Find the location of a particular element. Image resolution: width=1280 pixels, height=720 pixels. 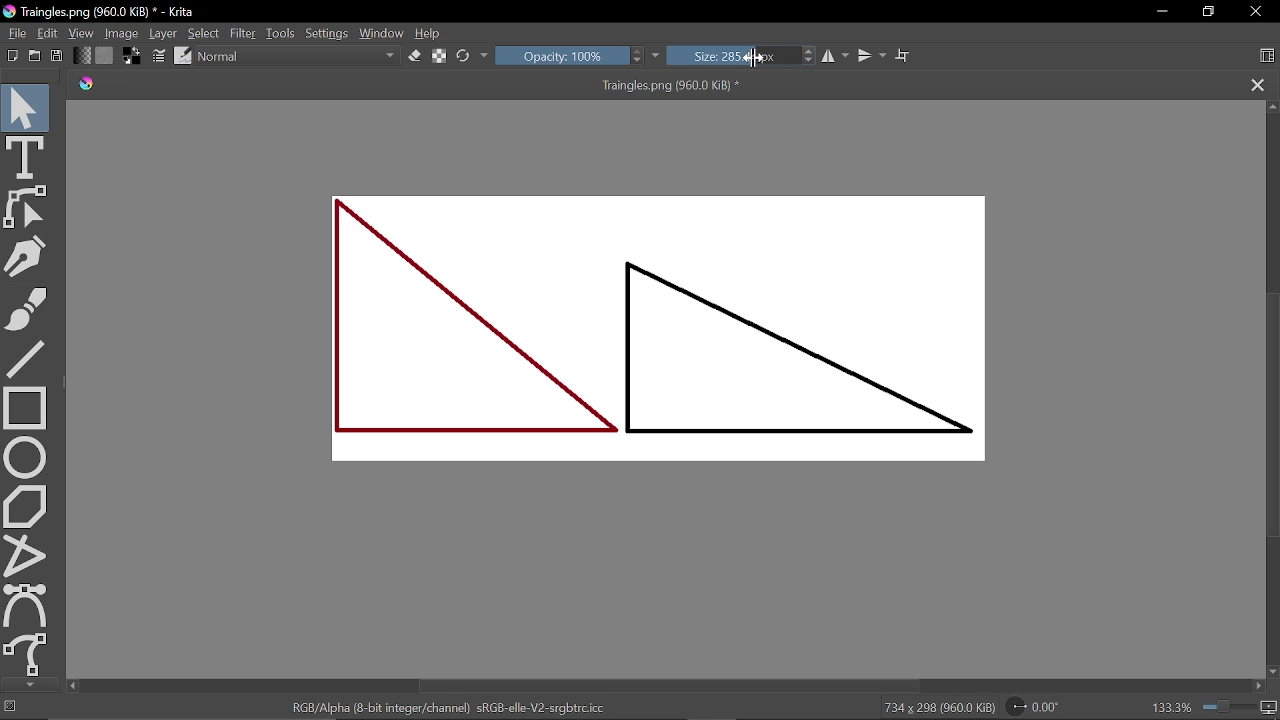

Normal is located at coordinates (298, 56).